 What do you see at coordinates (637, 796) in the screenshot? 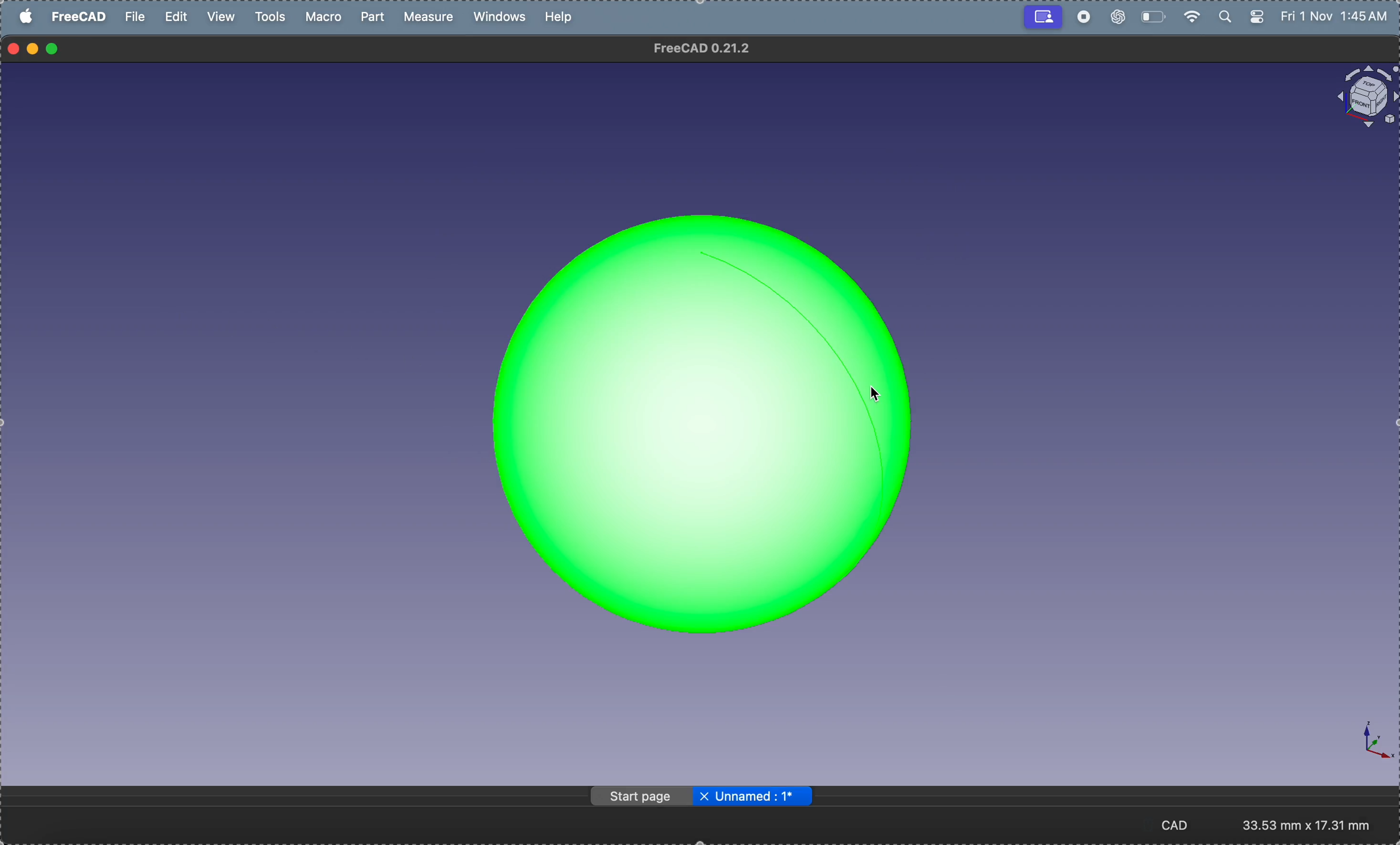
I see `start page` at bounding box center [637, 796].